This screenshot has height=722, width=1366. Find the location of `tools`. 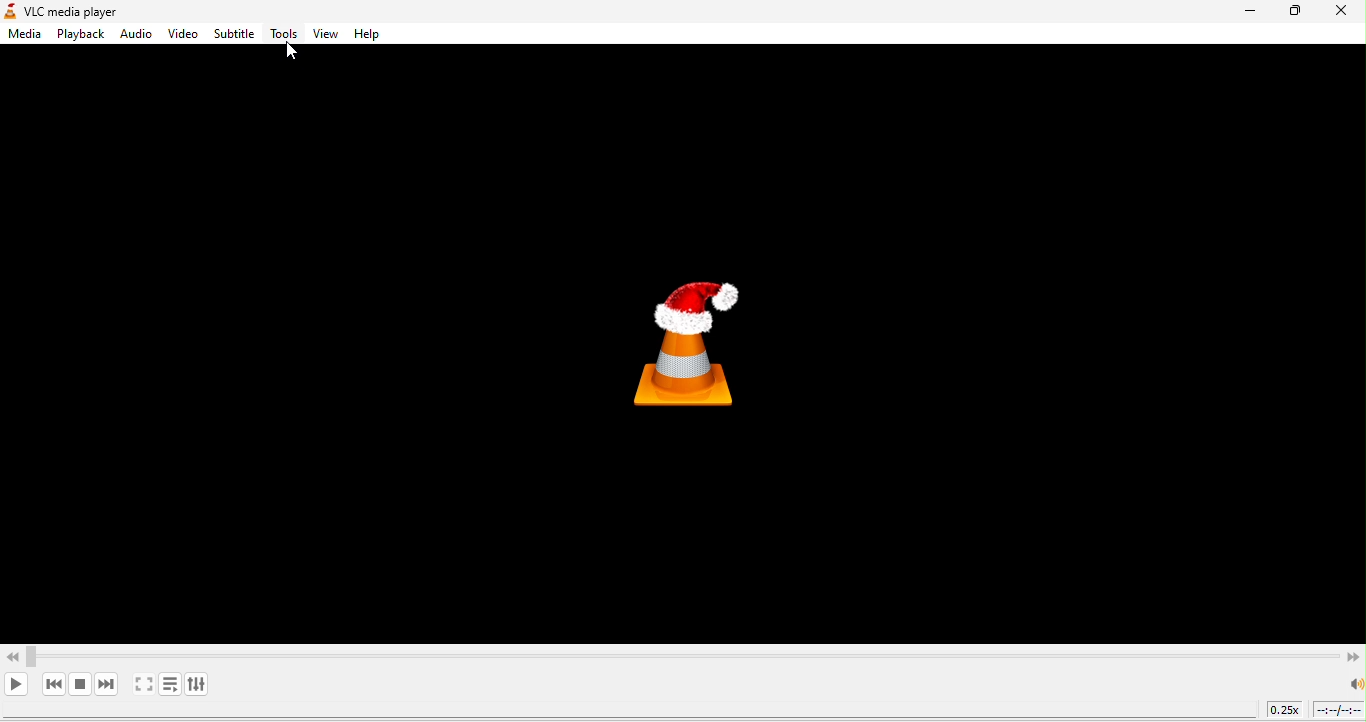

tools is located at coordinates (283, 36).